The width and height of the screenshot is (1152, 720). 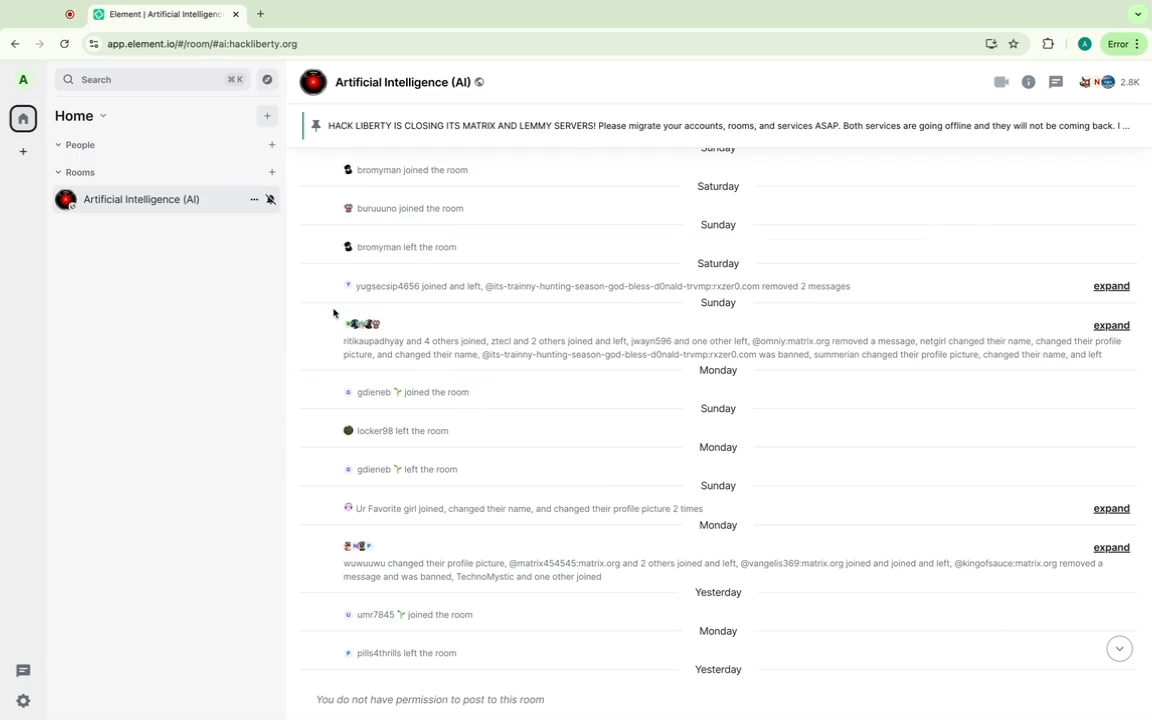 I want to click on More, so click(x=1124, y=43).